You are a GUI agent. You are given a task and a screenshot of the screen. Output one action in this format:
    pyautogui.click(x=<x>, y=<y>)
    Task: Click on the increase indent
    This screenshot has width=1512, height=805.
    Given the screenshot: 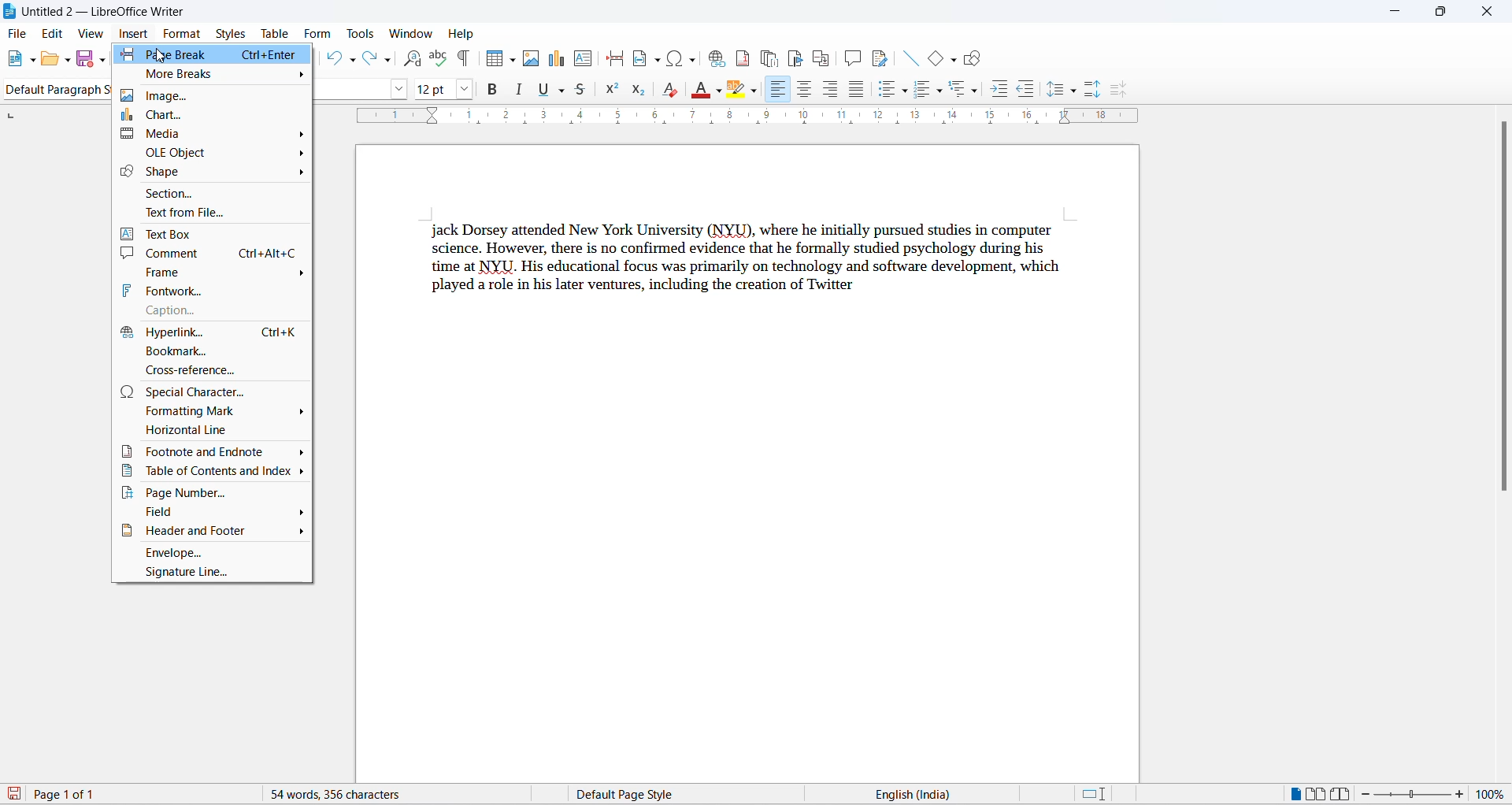 What is the action you would take?
    pyautogui.click(x=999, y=91)
    